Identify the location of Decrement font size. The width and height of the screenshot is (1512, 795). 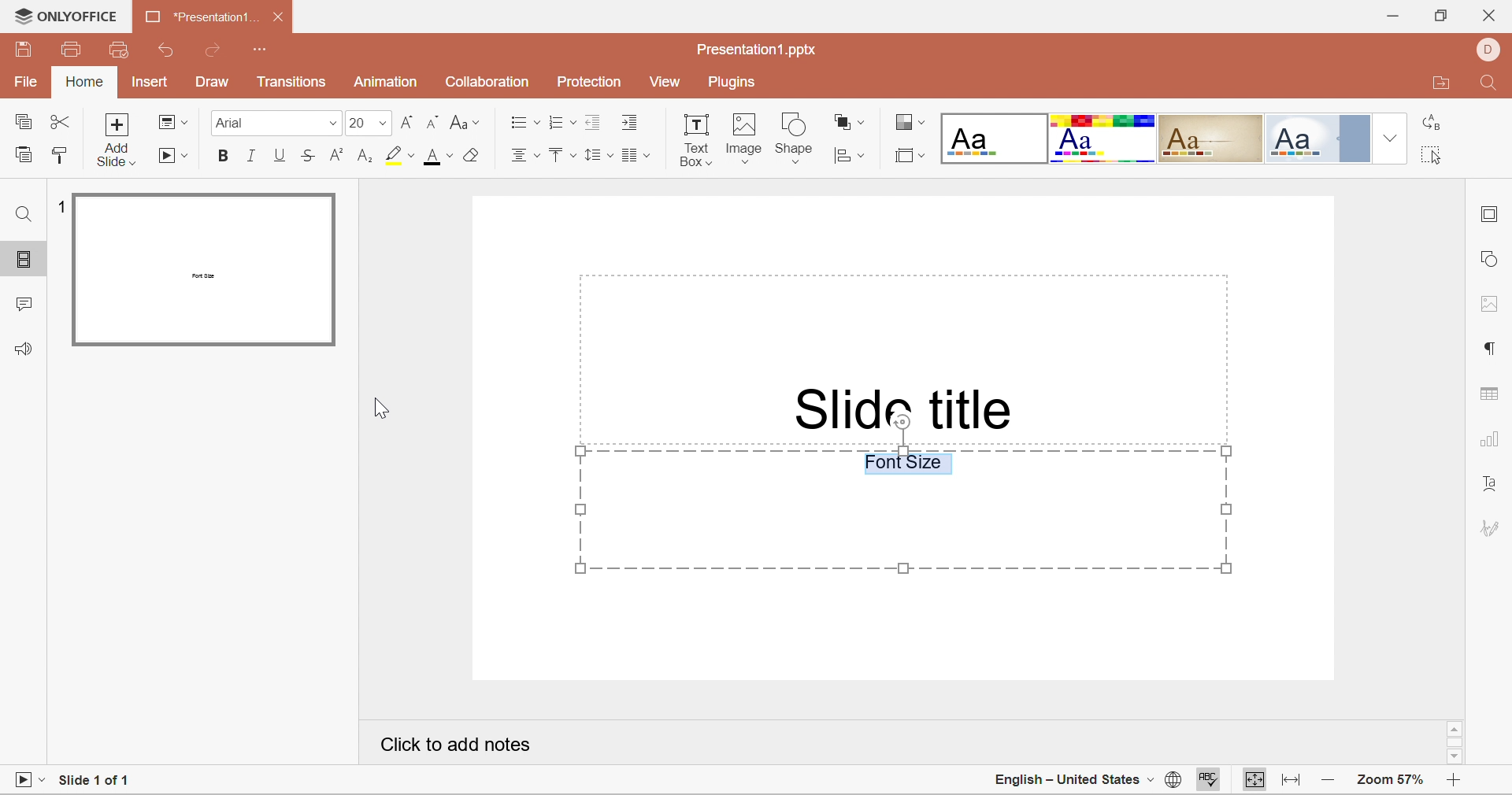
(432, 123).